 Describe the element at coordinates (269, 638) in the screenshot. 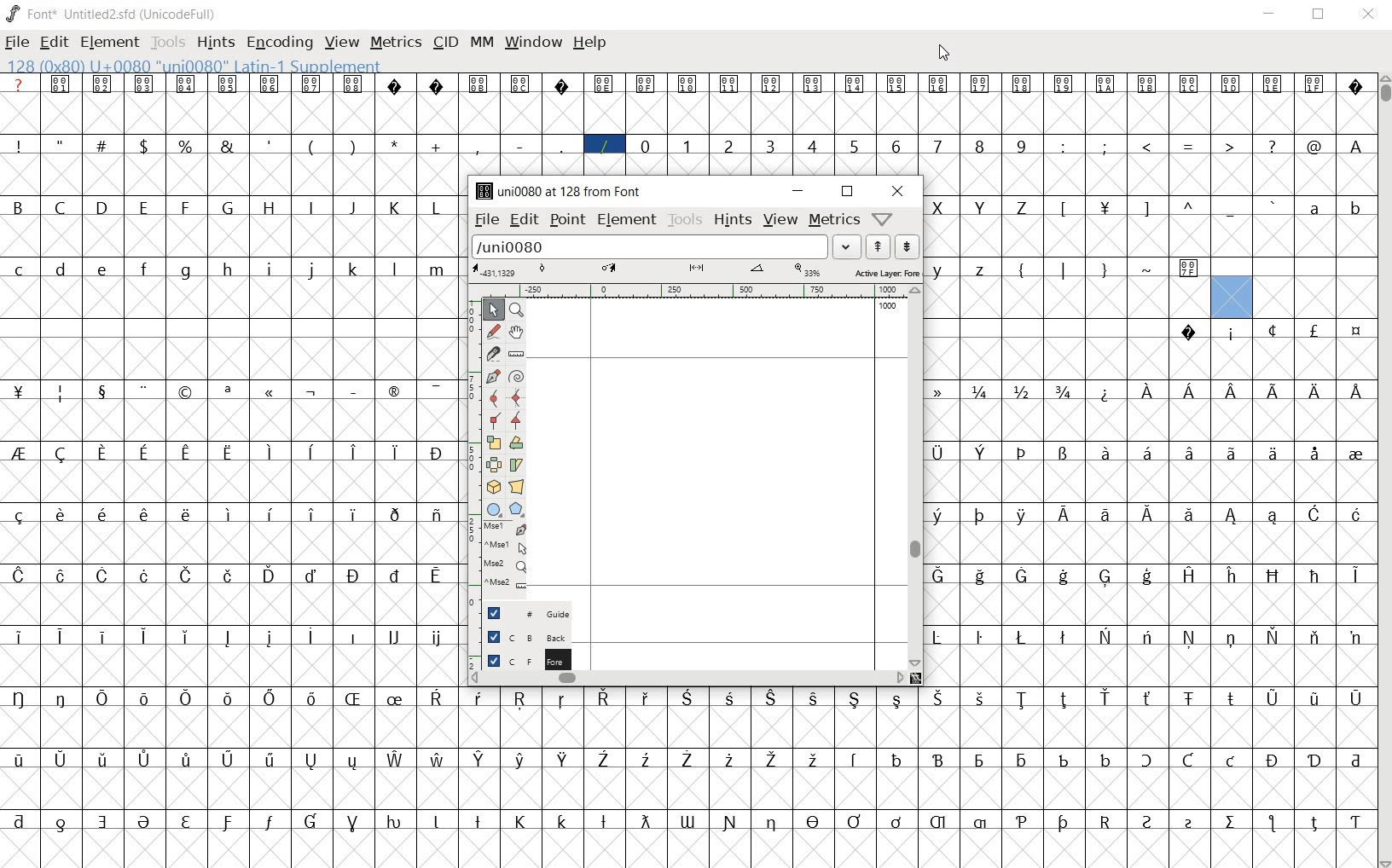

I see `glyph` at that location.